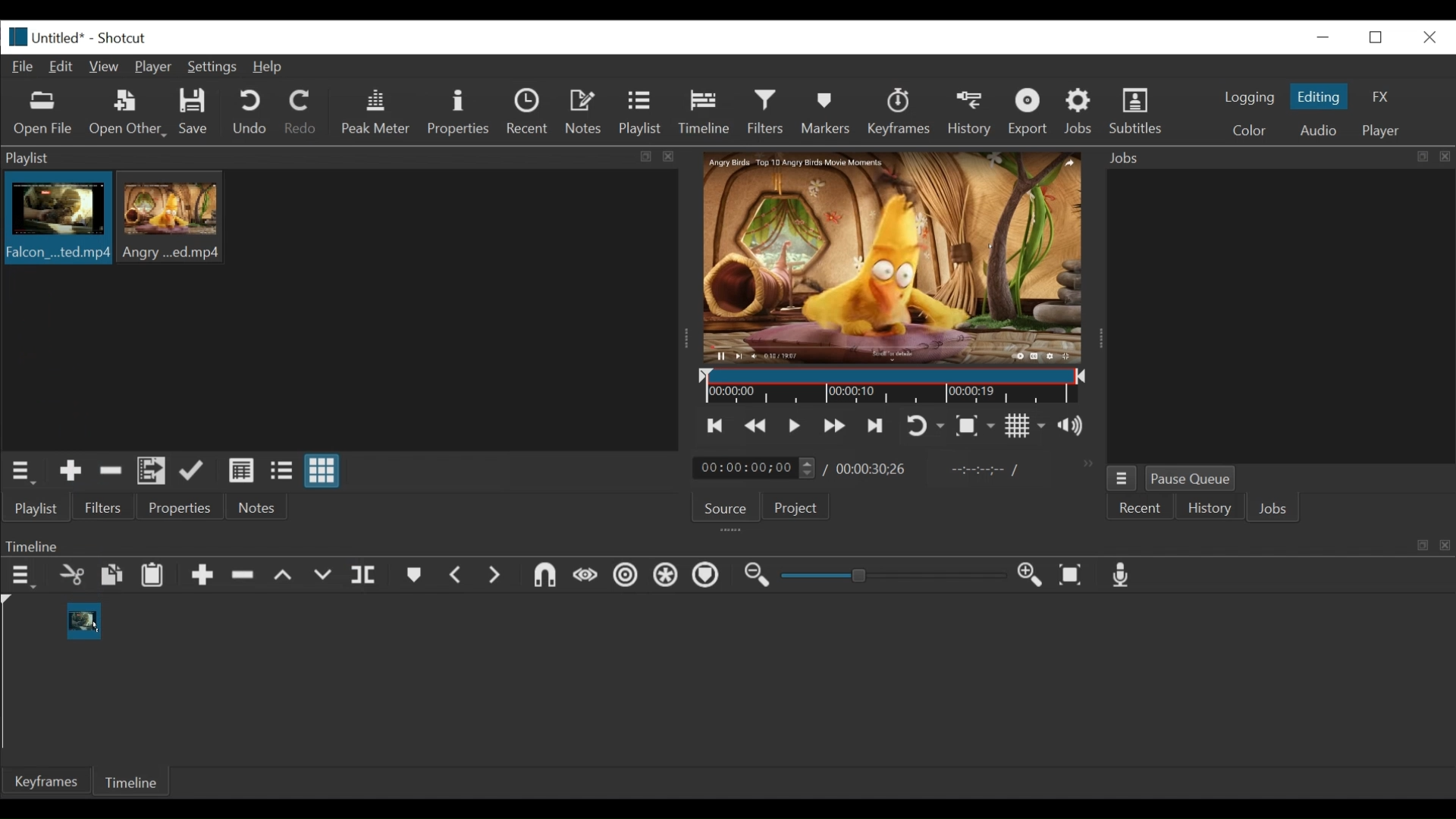  What do you see at coordinates (1428, 36) in the screenshot?
I see `close` at bounding box center [1428, 36].